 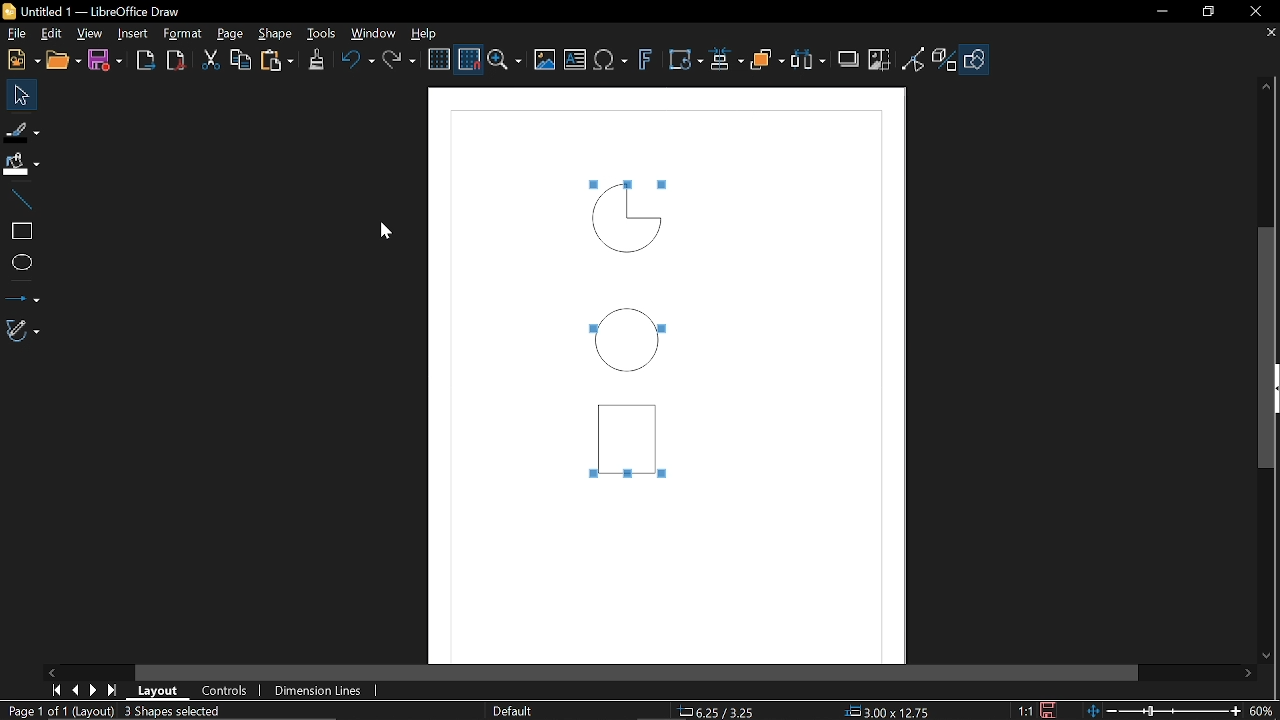 What do you see at coordinates (146, 60) in the screenshot?
I see `Export` at bounding box center [146, 60].